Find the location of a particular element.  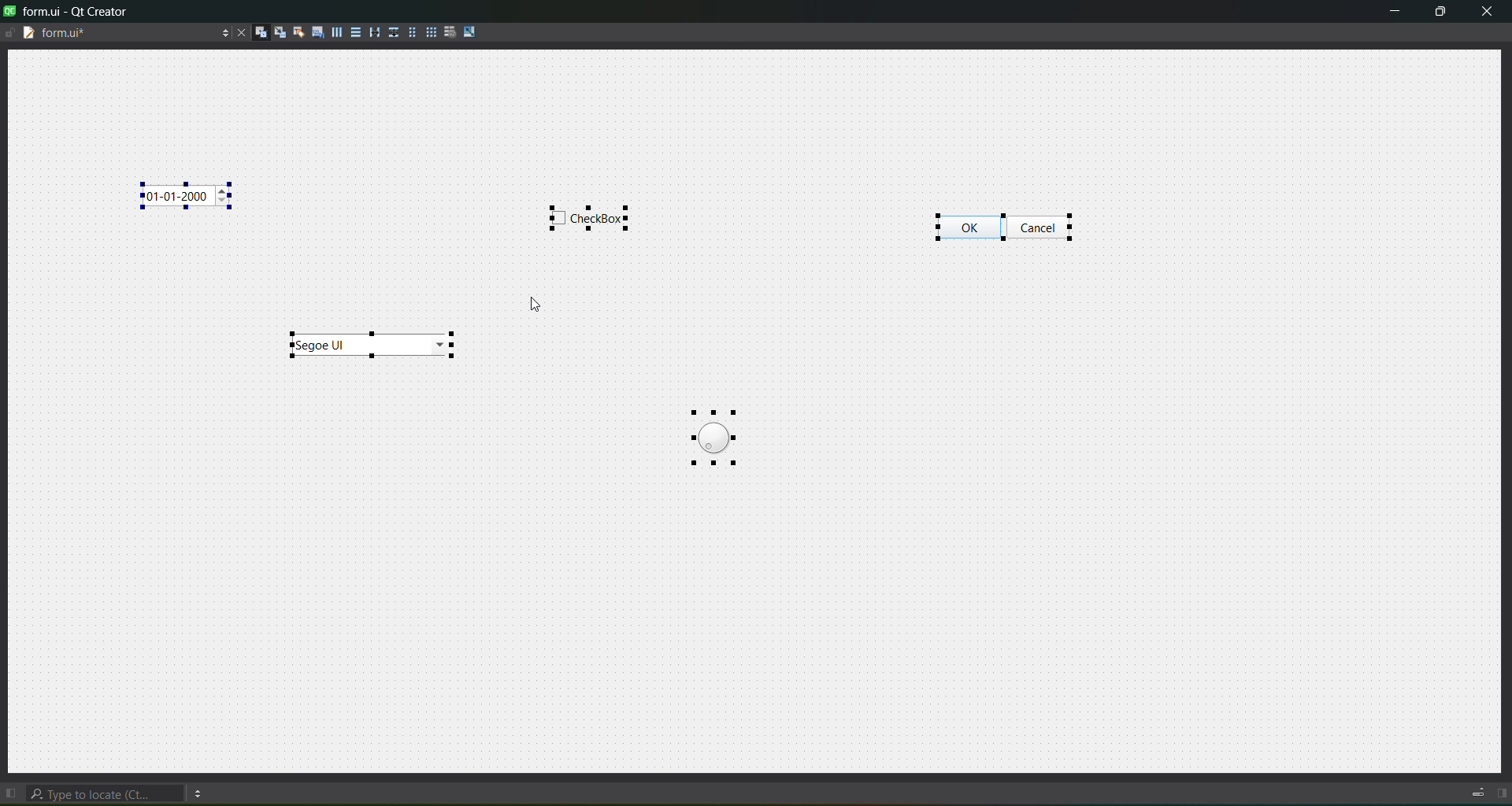

menu options is located at coordinates (202, 791).